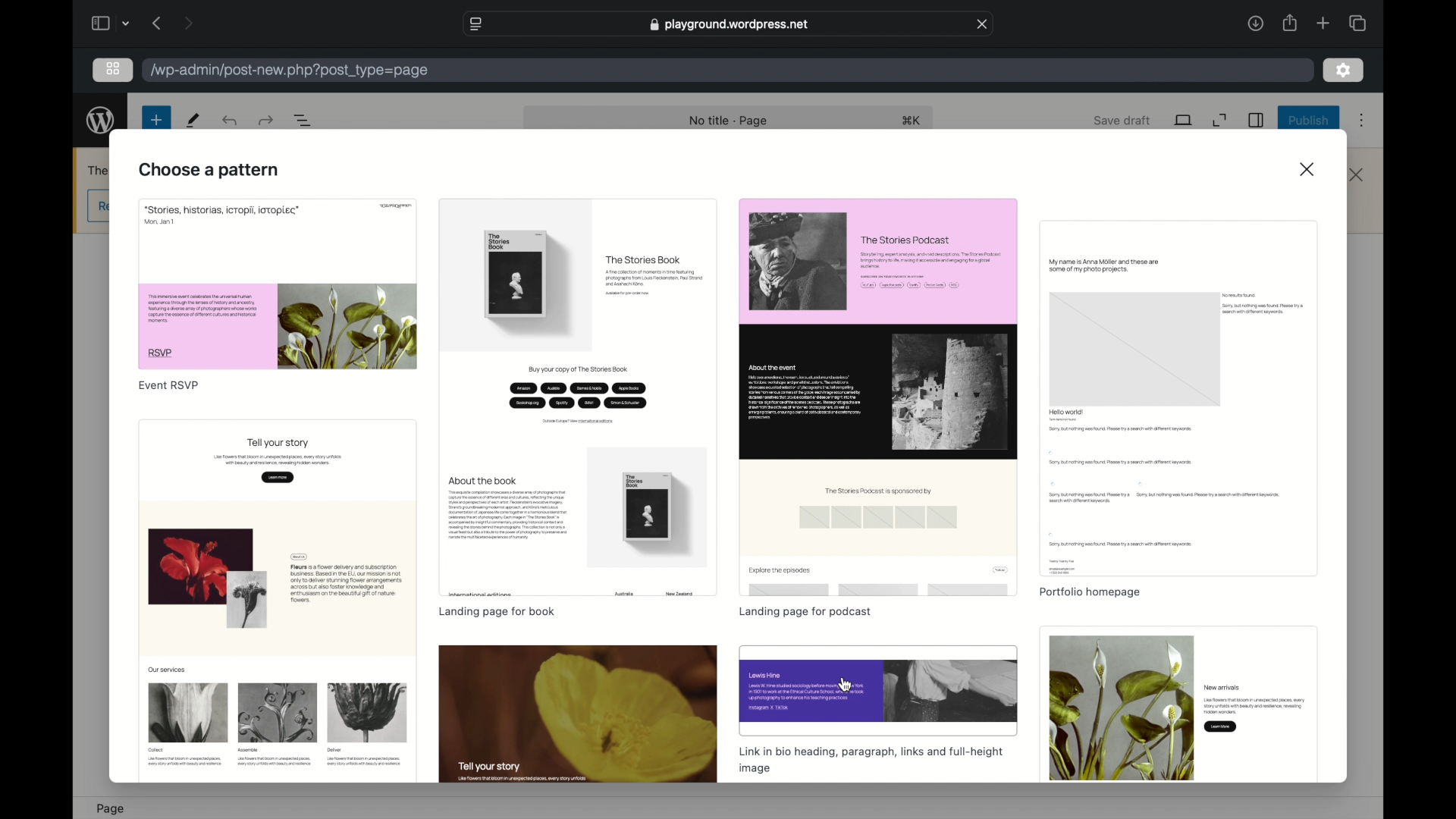 The height and width of the screenshot is (819, 1456). I want to click on previous page, so click(156, 24).